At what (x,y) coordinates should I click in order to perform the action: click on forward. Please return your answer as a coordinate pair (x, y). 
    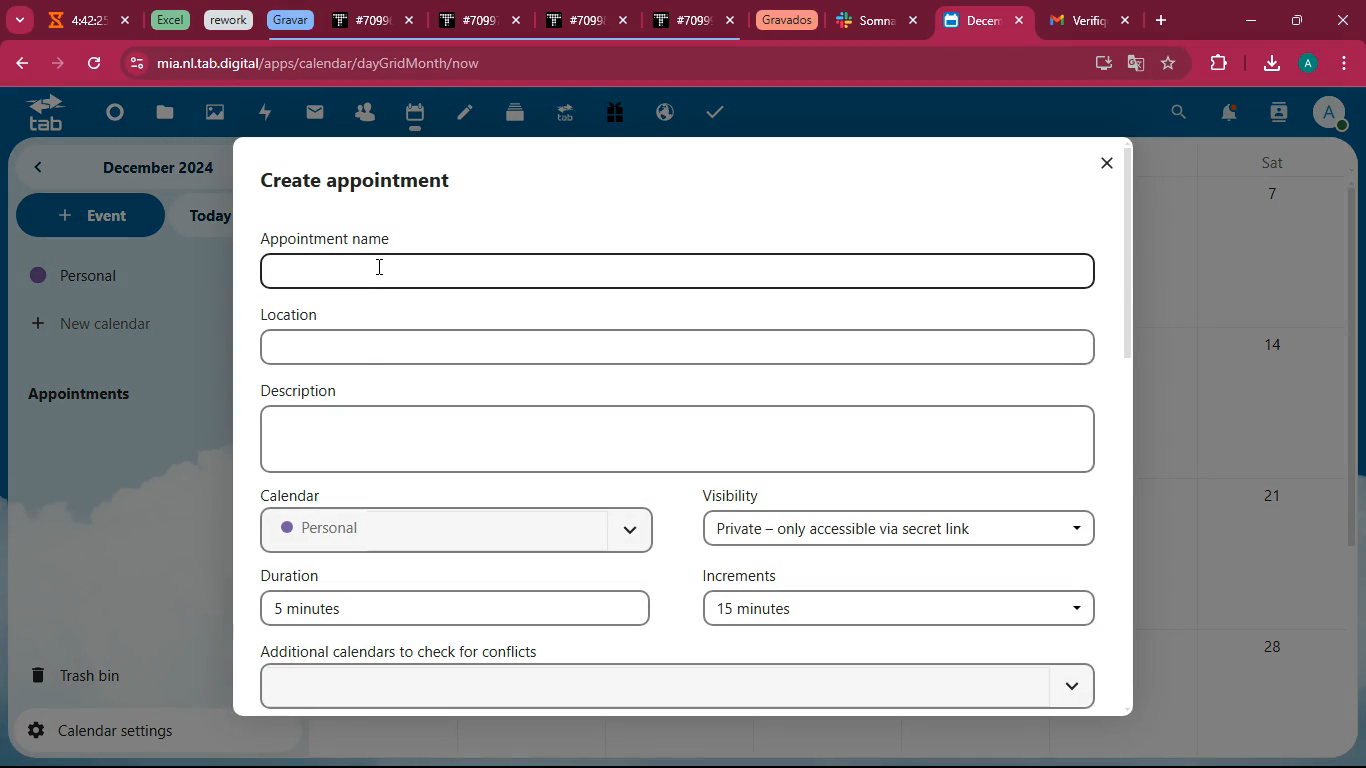
    Looking at the image, I should click on (55, 64).